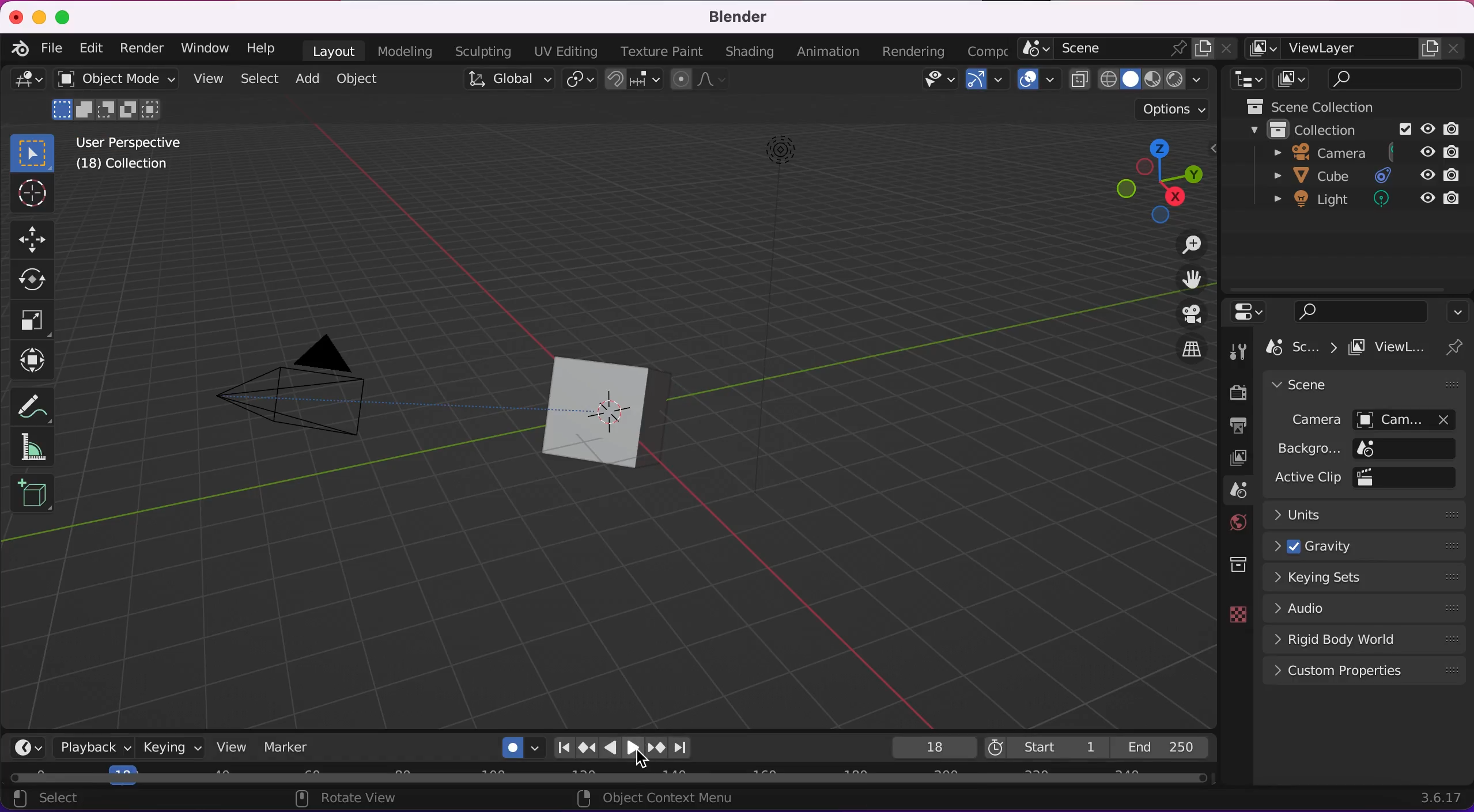  Describe the element at coordinates (1238, 391) in the screenshot. I see `render` at that location.